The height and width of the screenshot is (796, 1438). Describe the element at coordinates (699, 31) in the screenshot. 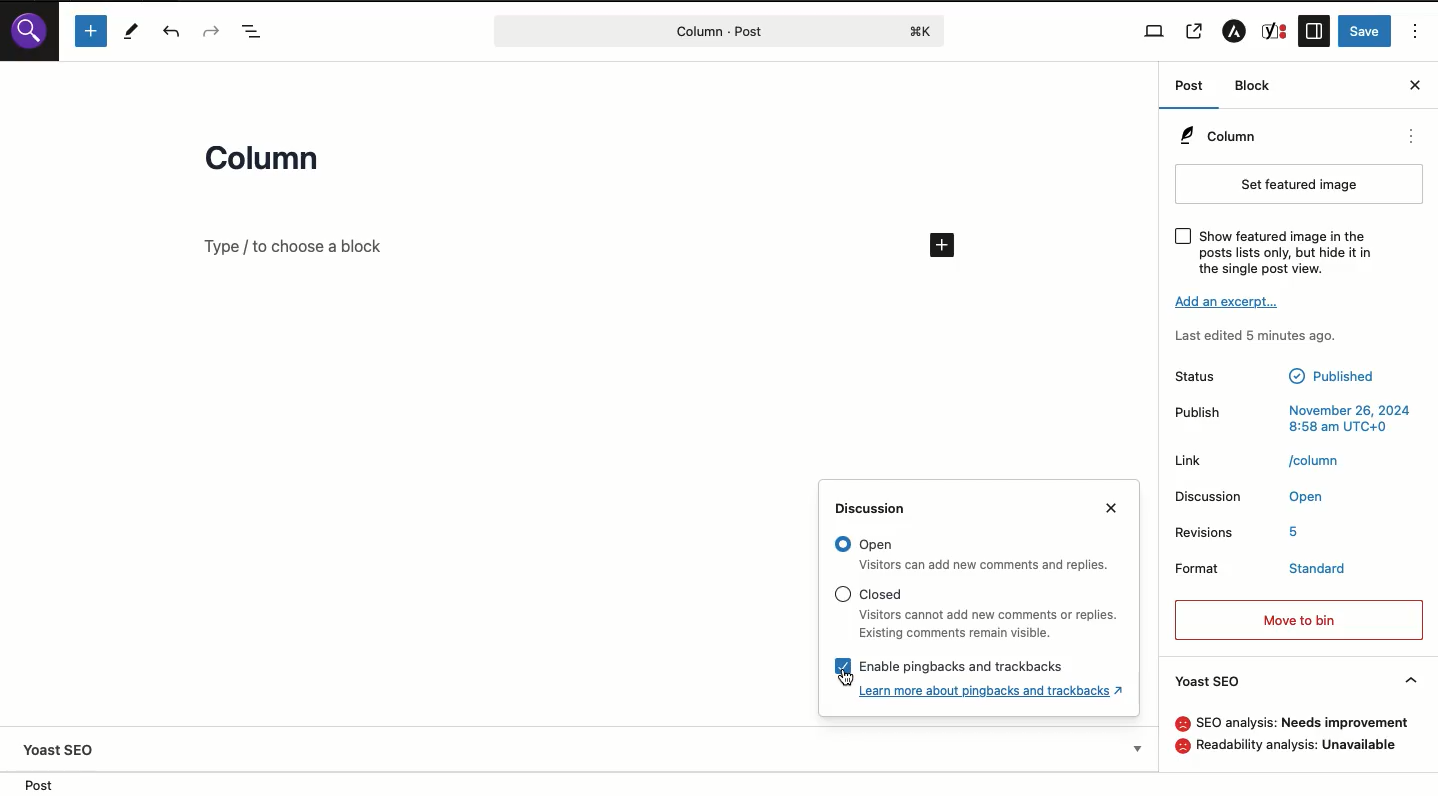

I see `Post` at that location.